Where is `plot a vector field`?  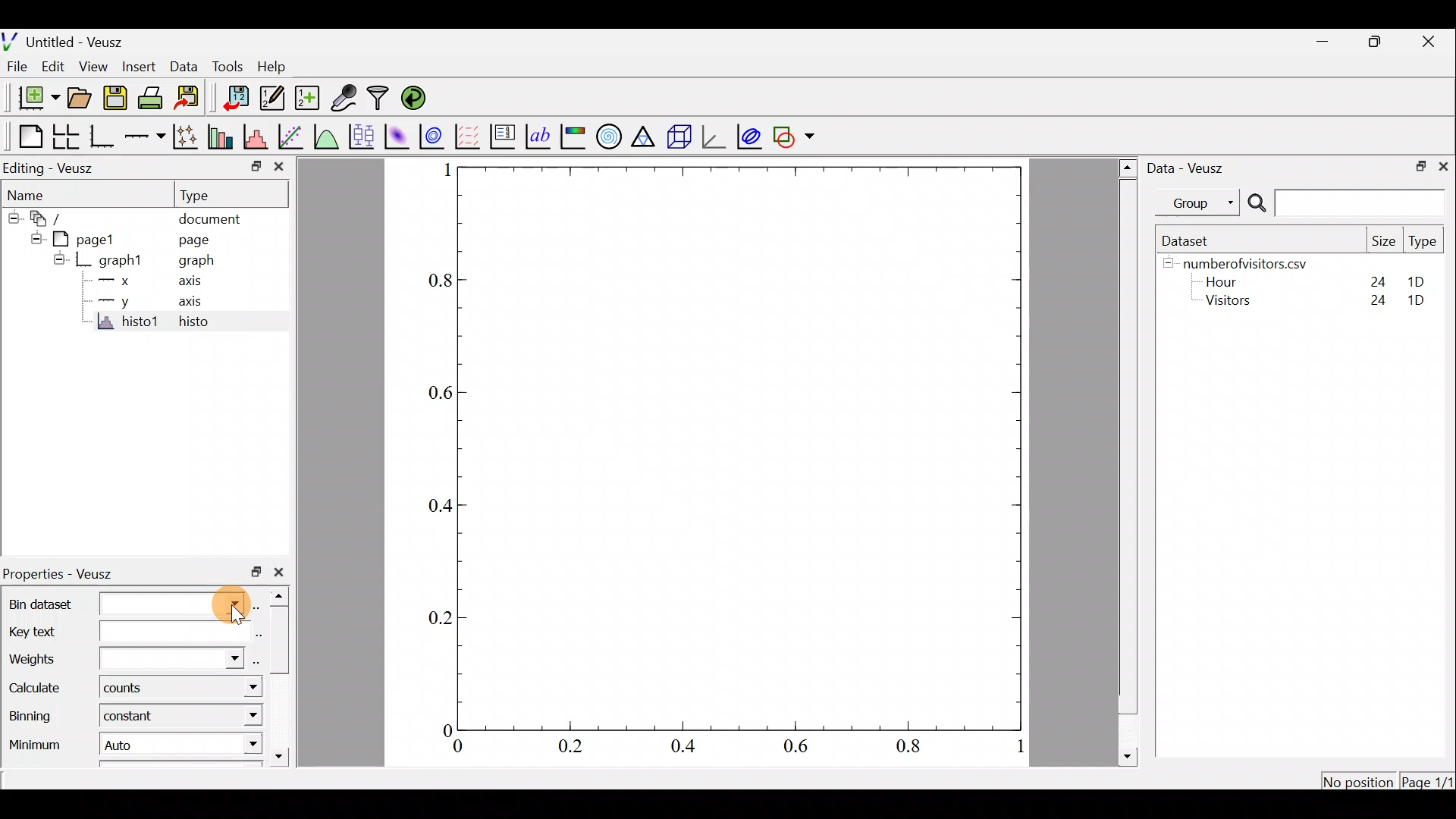 plot a vector field is located at coordinates (467, 134).